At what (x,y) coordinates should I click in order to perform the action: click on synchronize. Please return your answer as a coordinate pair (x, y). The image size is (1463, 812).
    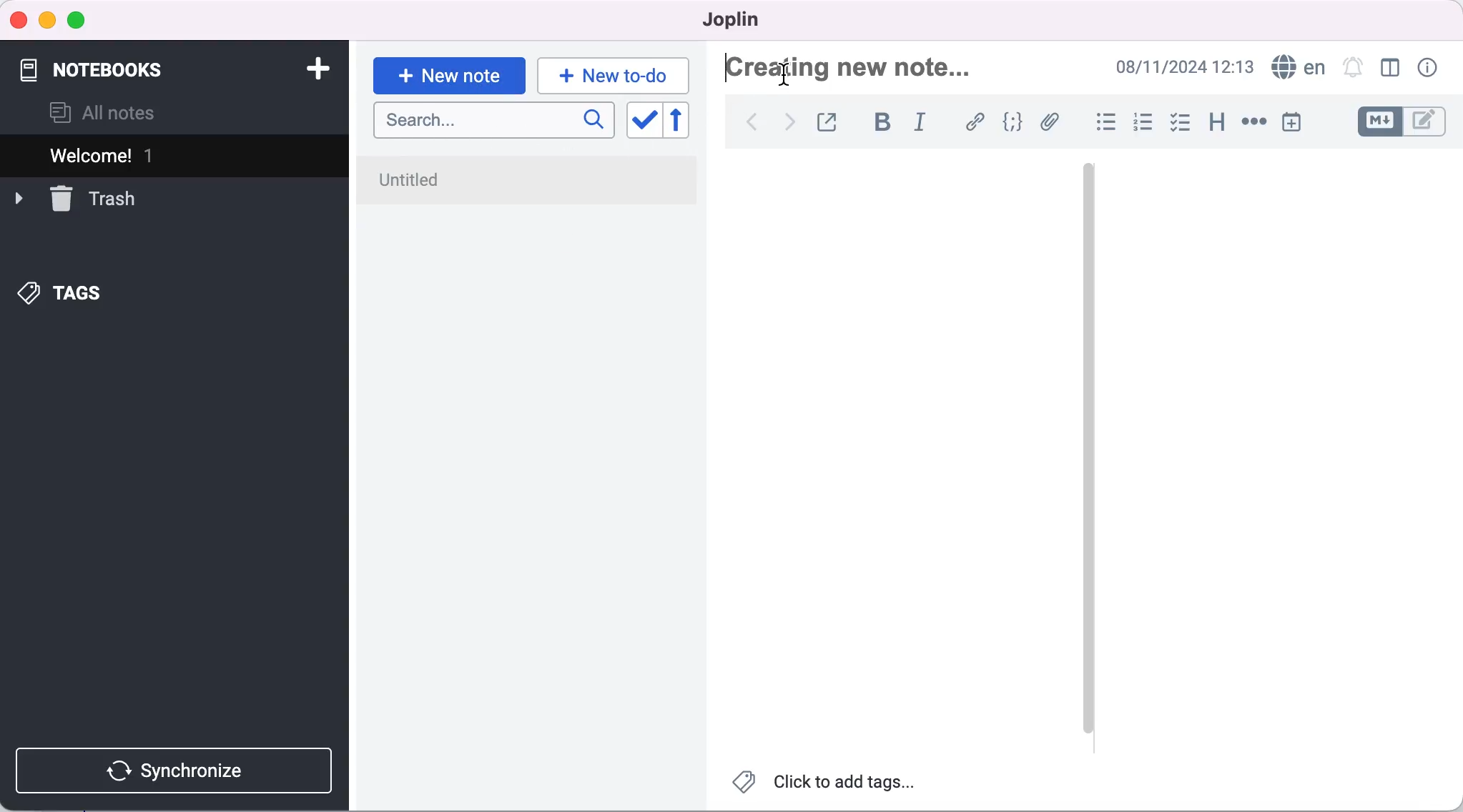
    Looking at the image, I should click on (177, 771).